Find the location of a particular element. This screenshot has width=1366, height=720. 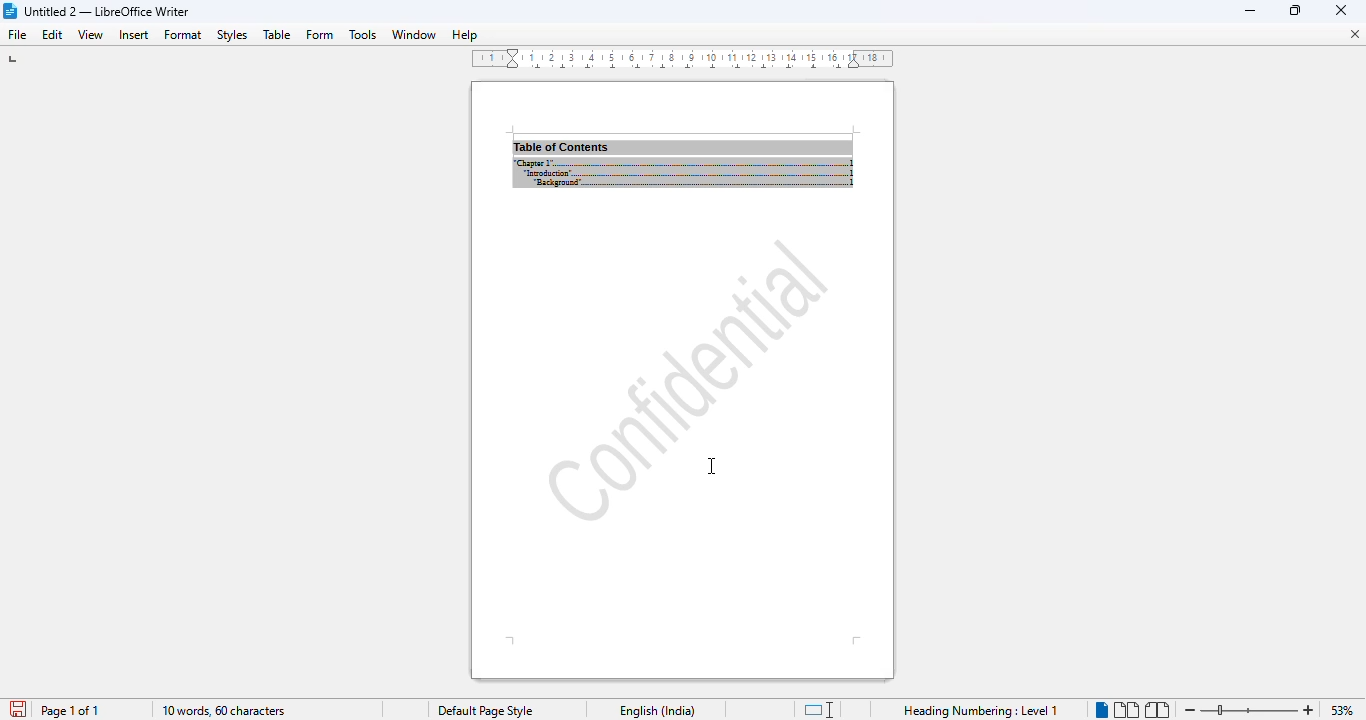

document is located at coordinates (683, 146).